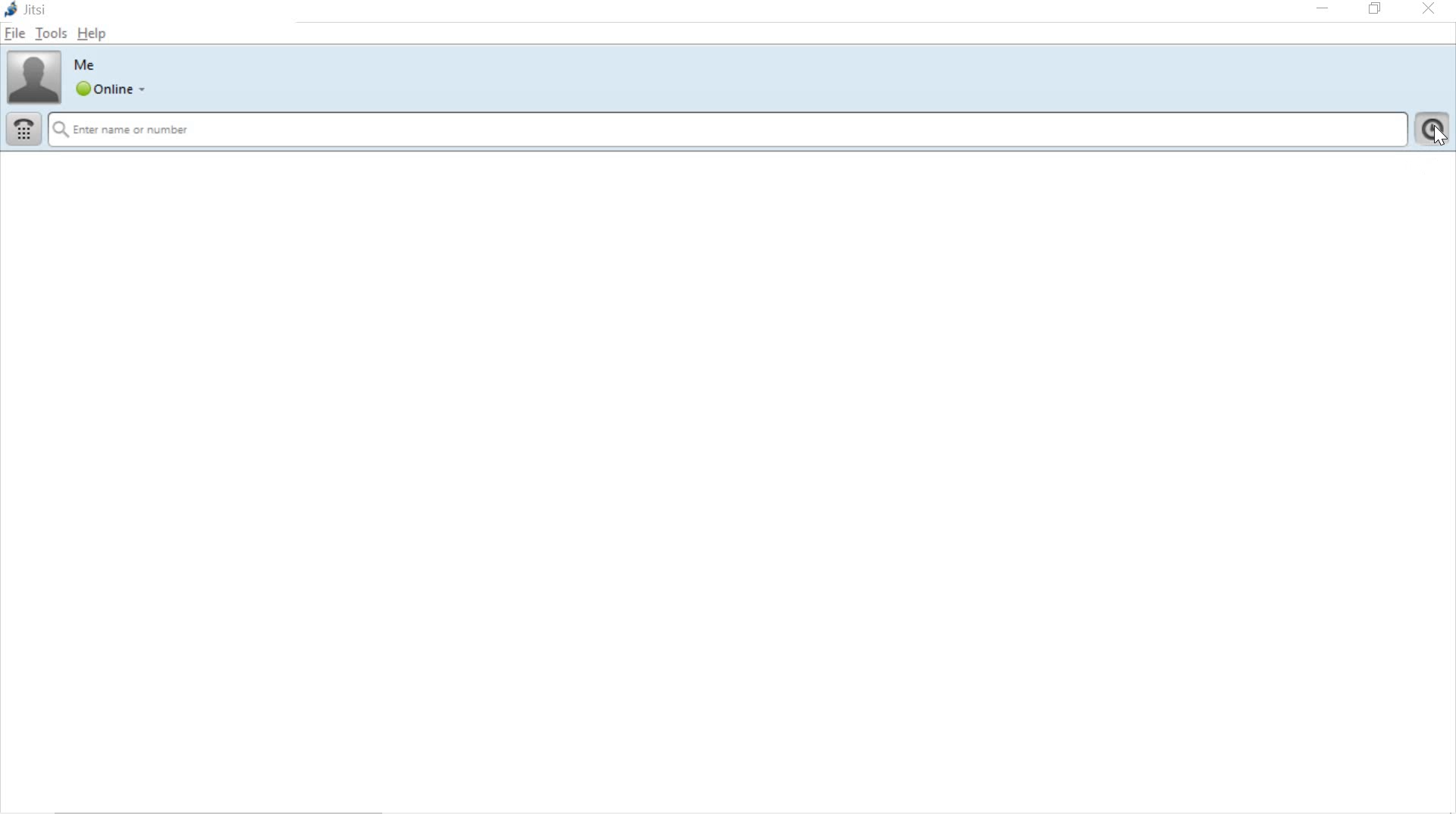 The image size is (1456, 814). What do you see at coordinates (726, 130) in the screenshot?
I see `Enter name or number` at bounding box center [726, 130].